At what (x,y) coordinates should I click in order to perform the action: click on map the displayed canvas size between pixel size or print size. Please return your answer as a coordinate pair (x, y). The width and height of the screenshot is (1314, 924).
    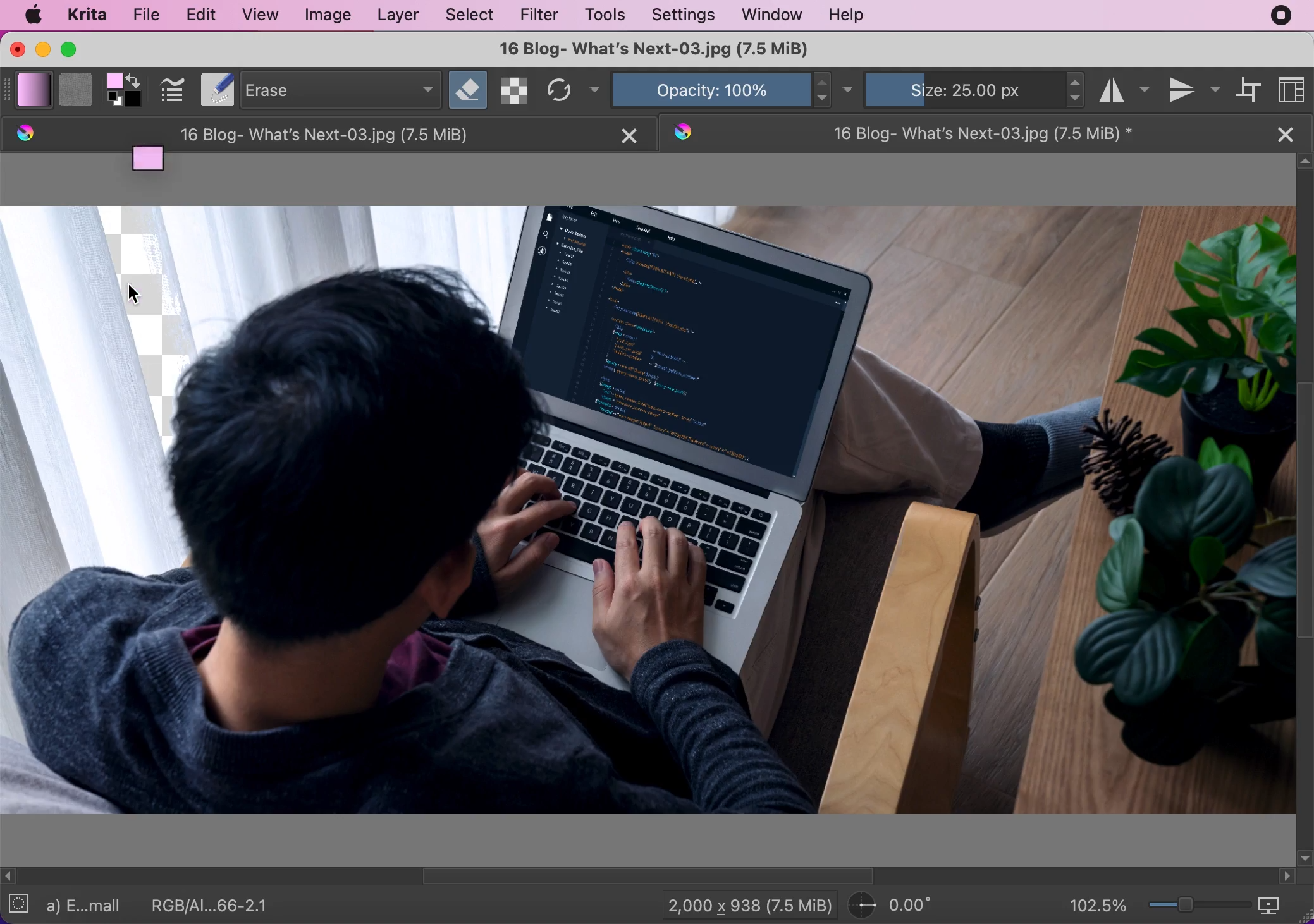
    Looking at the image, I should click on (1275, 905).